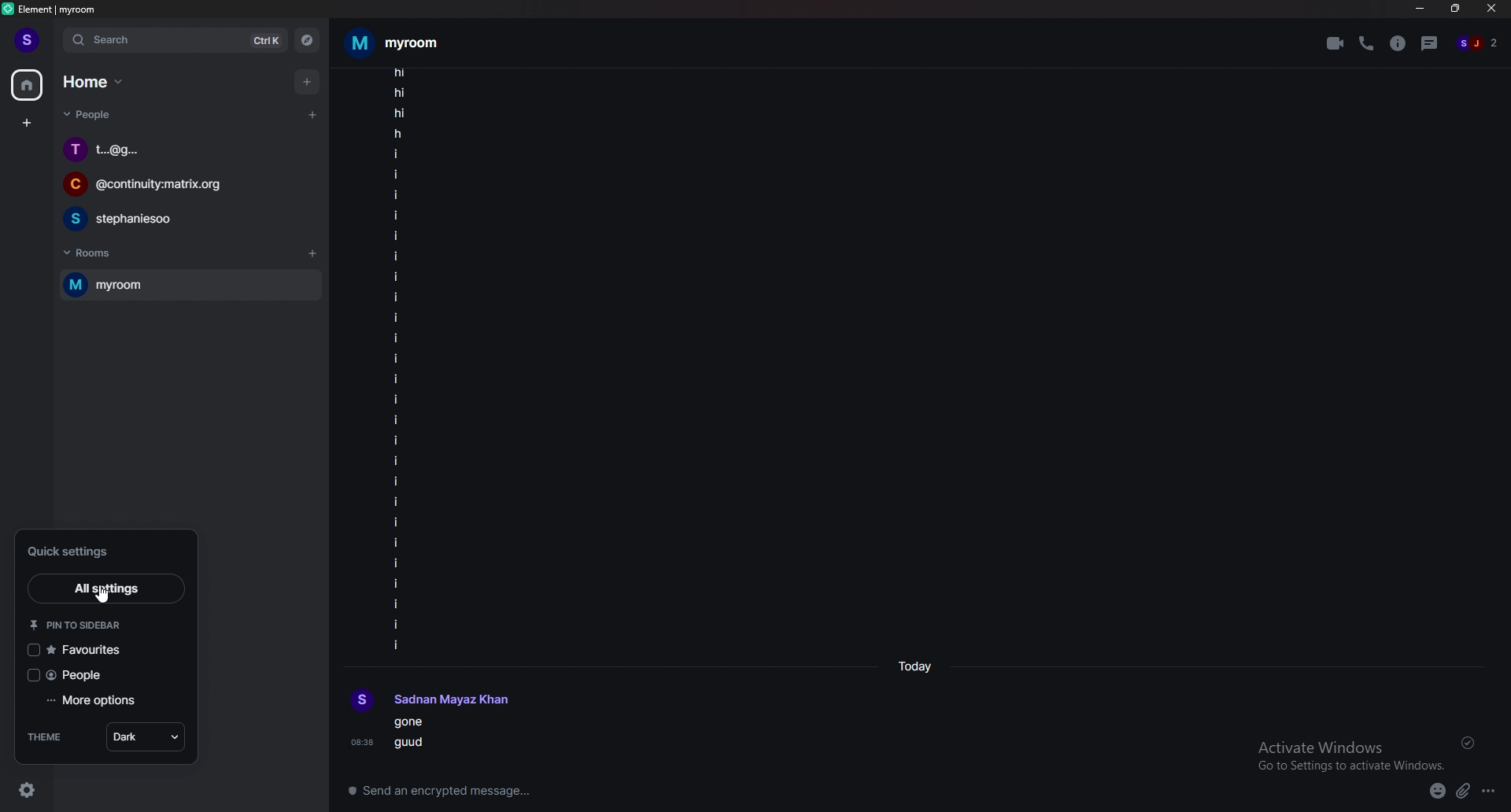 This screenshot has height=812, width=1511. What do you see at coordinates (188, 285) in the screenshot?
I see `room` at bounding box center [188, 285].